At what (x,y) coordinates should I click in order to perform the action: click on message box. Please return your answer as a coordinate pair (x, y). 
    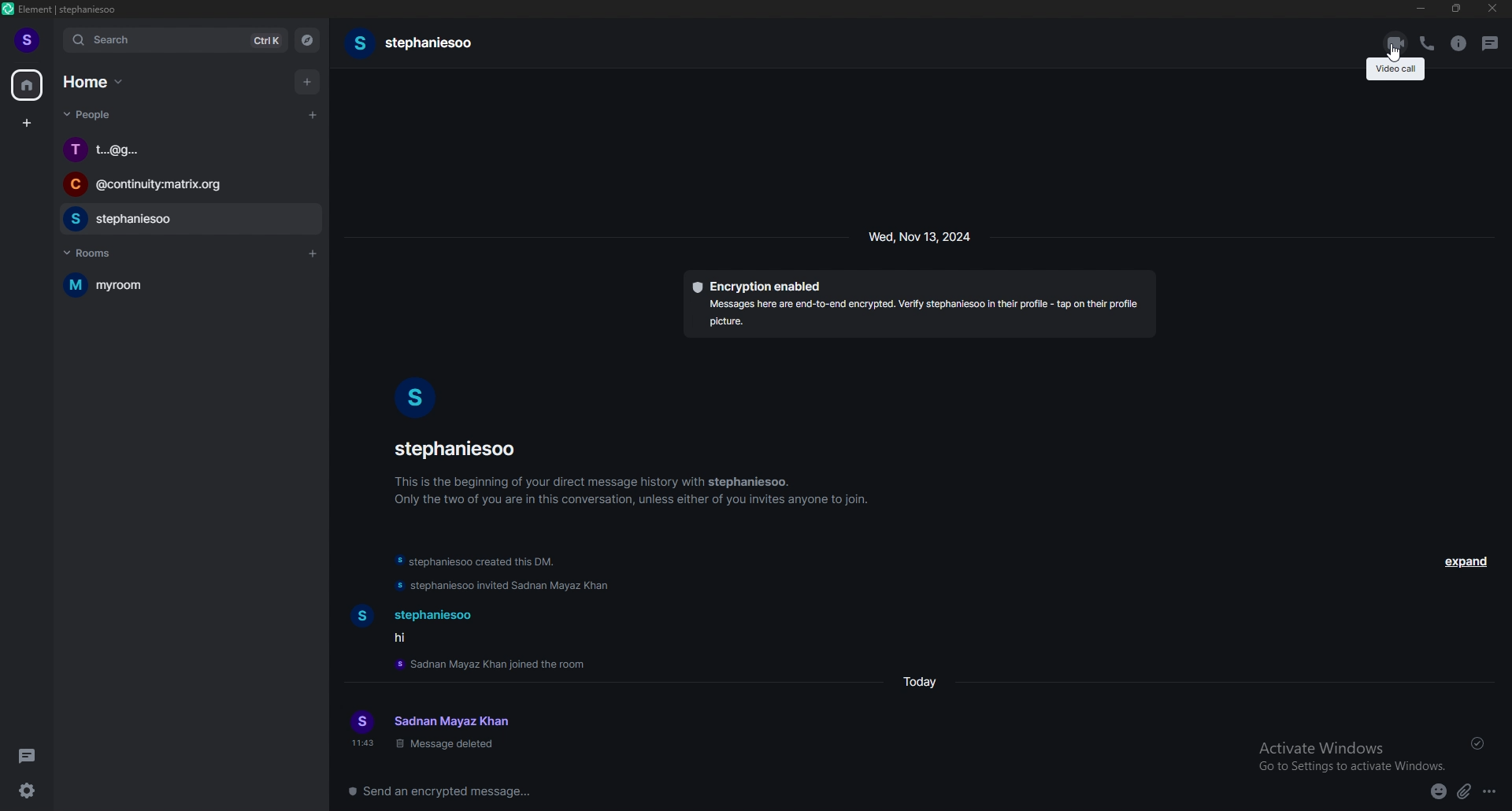
    Looking at the image, I should click on (763, 790).